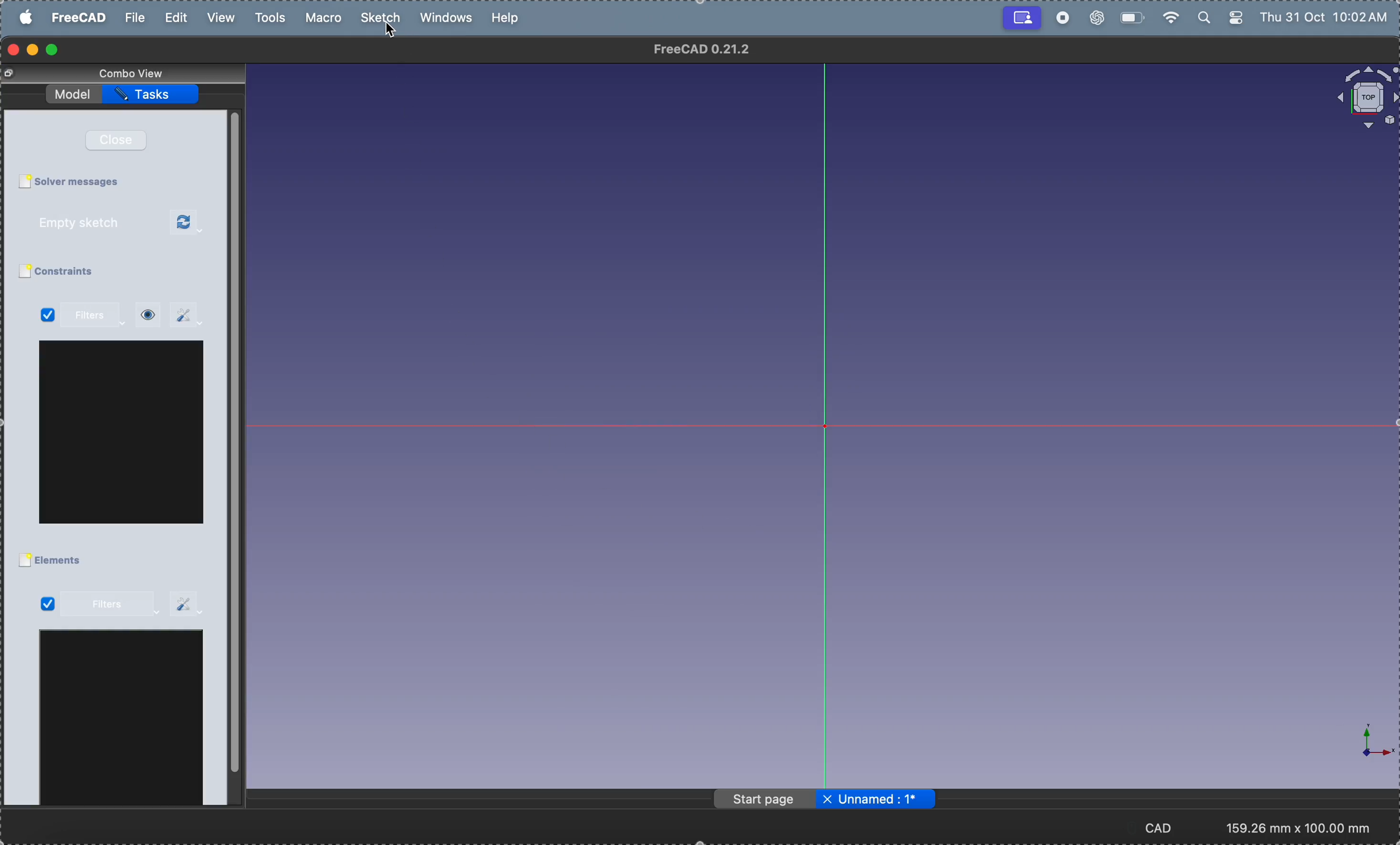 The image size is (1400, 845). I want to click on model, so click(74, 92).